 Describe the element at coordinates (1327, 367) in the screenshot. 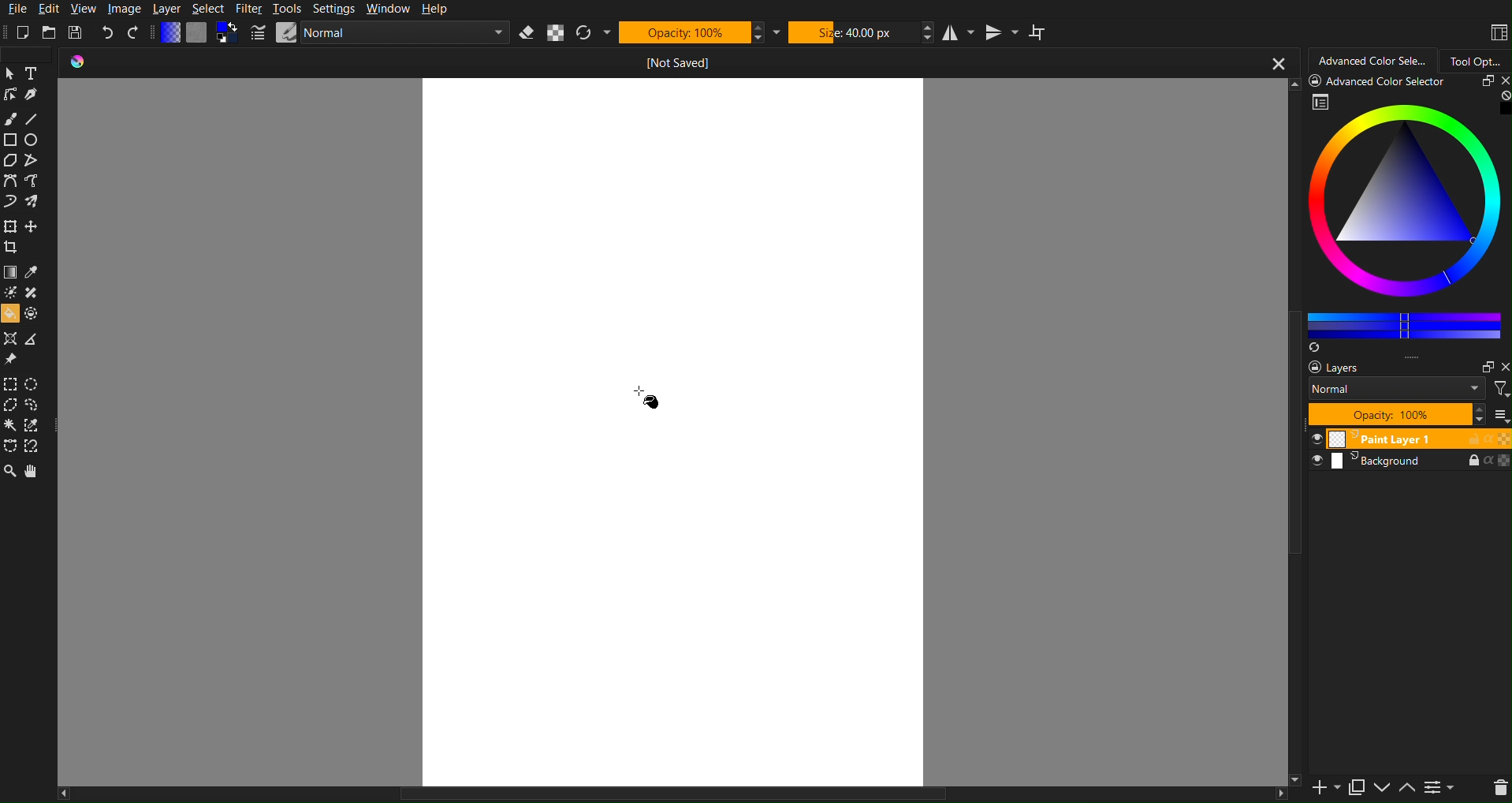

I see `layers` at that location.